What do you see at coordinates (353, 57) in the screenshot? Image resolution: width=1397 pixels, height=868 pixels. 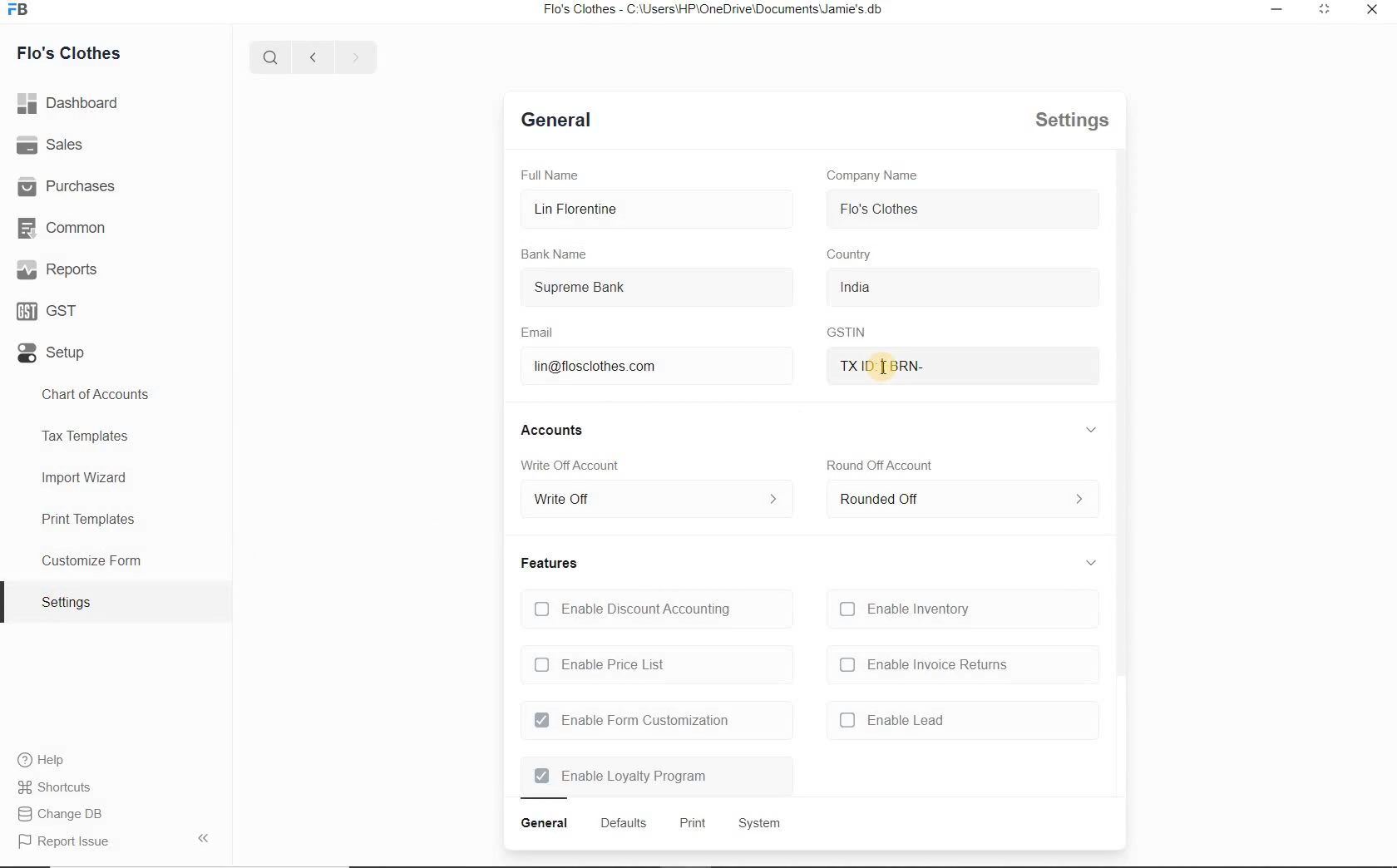 I see `next` at bounding box center [353, 57].